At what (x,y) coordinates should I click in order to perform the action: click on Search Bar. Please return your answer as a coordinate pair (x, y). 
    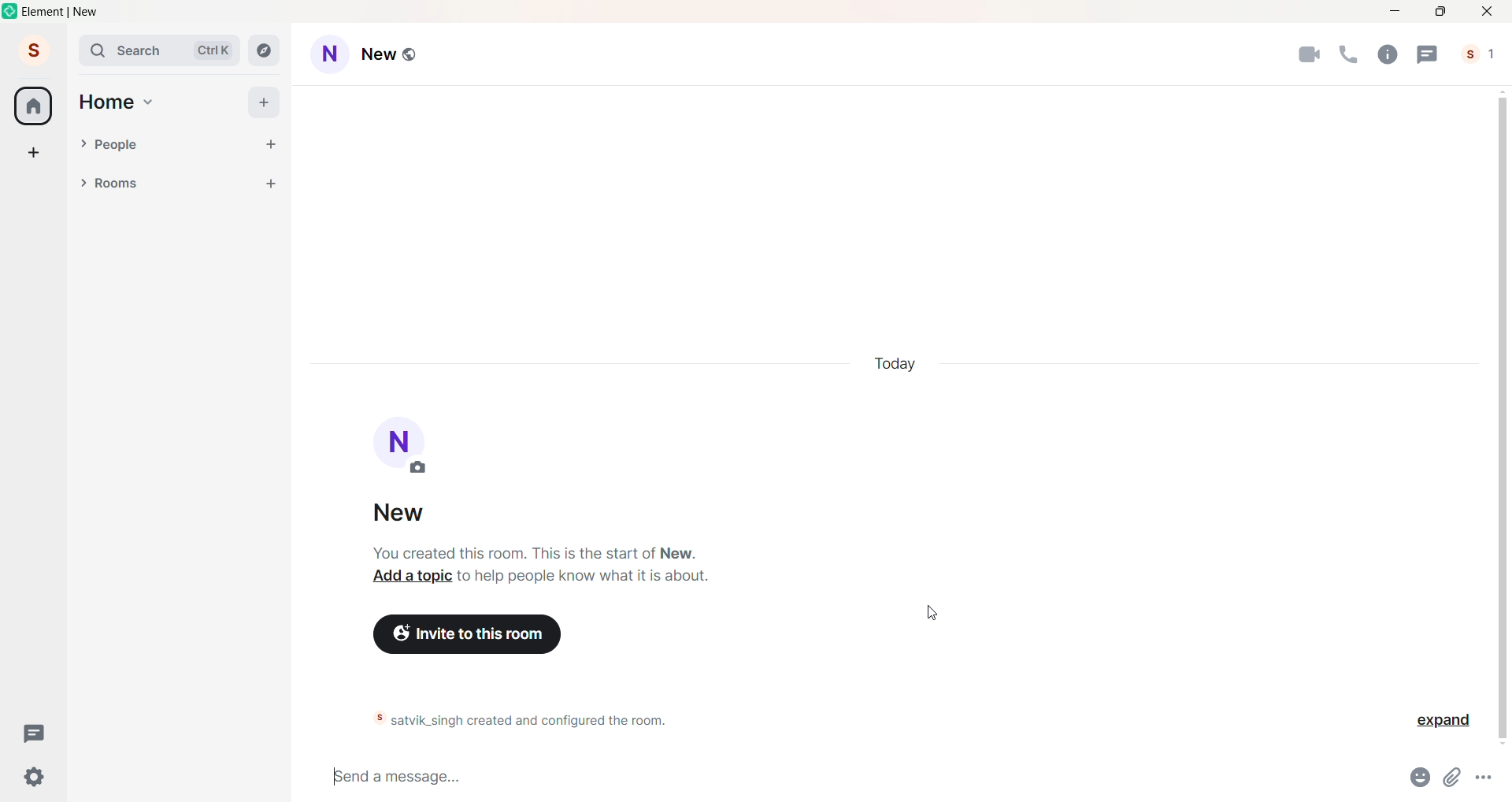
    Looking at the image, I should click on (131, 50).